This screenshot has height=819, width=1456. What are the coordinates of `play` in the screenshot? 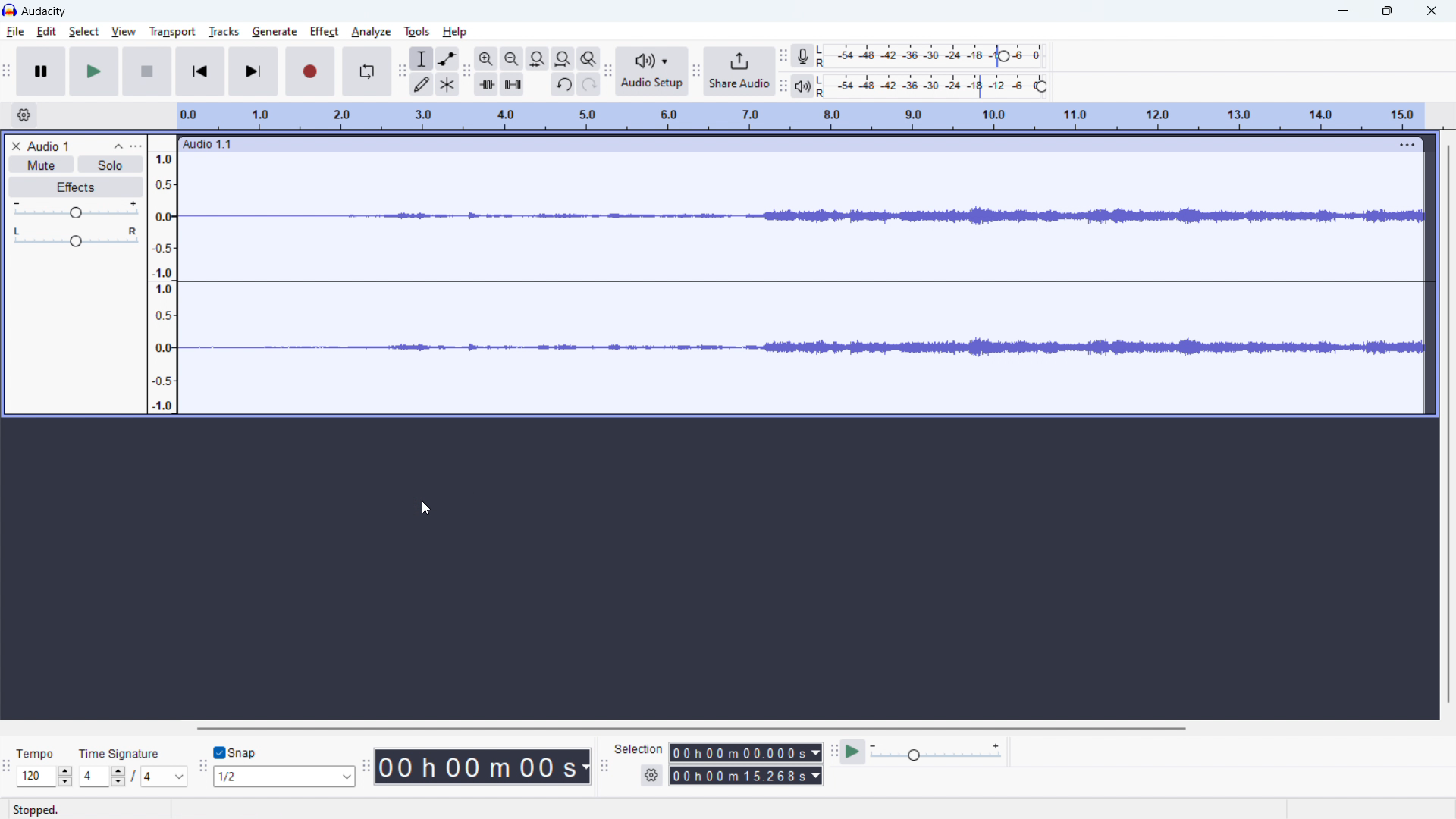 It's located at (94, 71).